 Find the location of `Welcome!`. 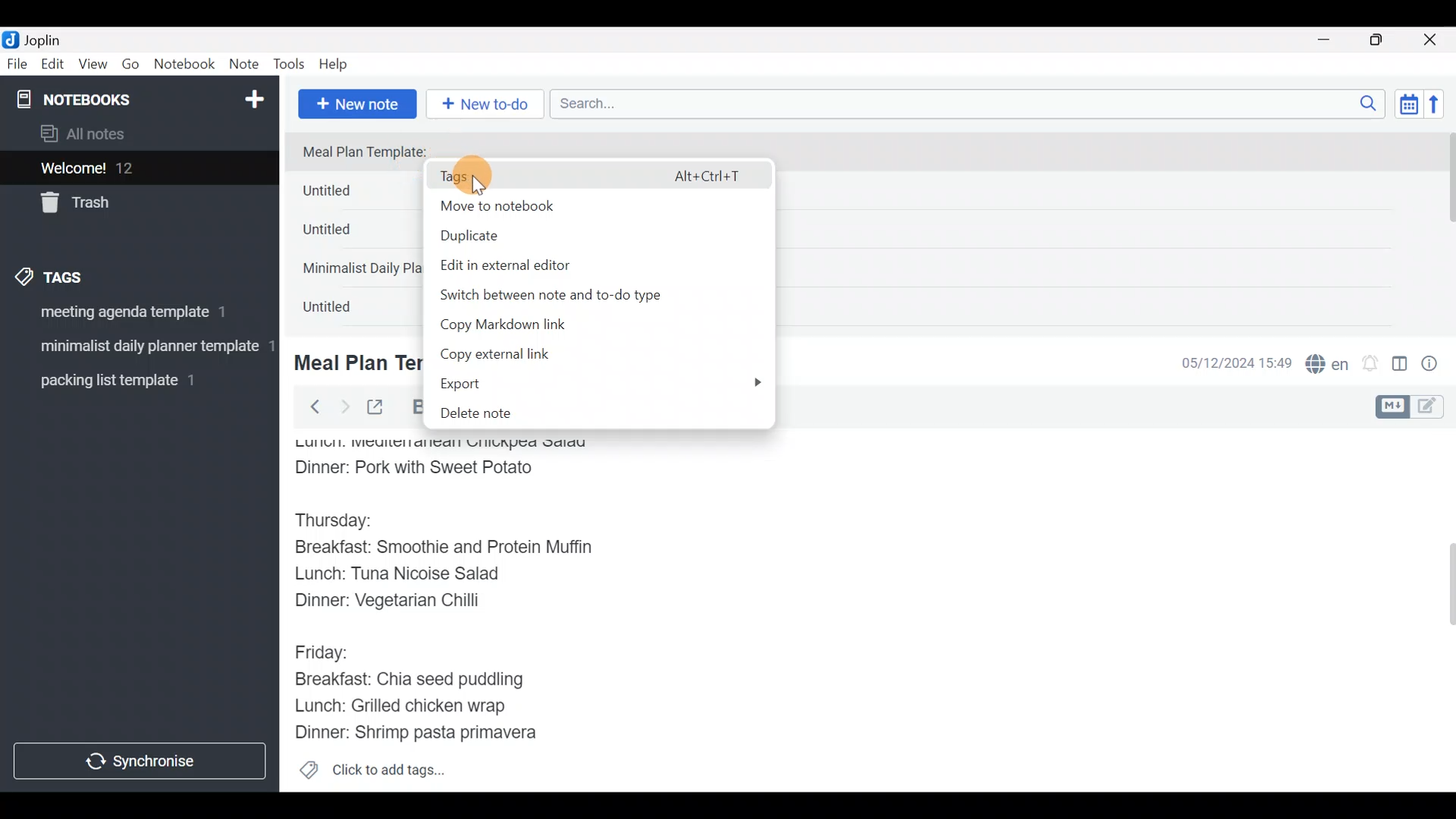

Welcome! is located at coordinates (137, 169).